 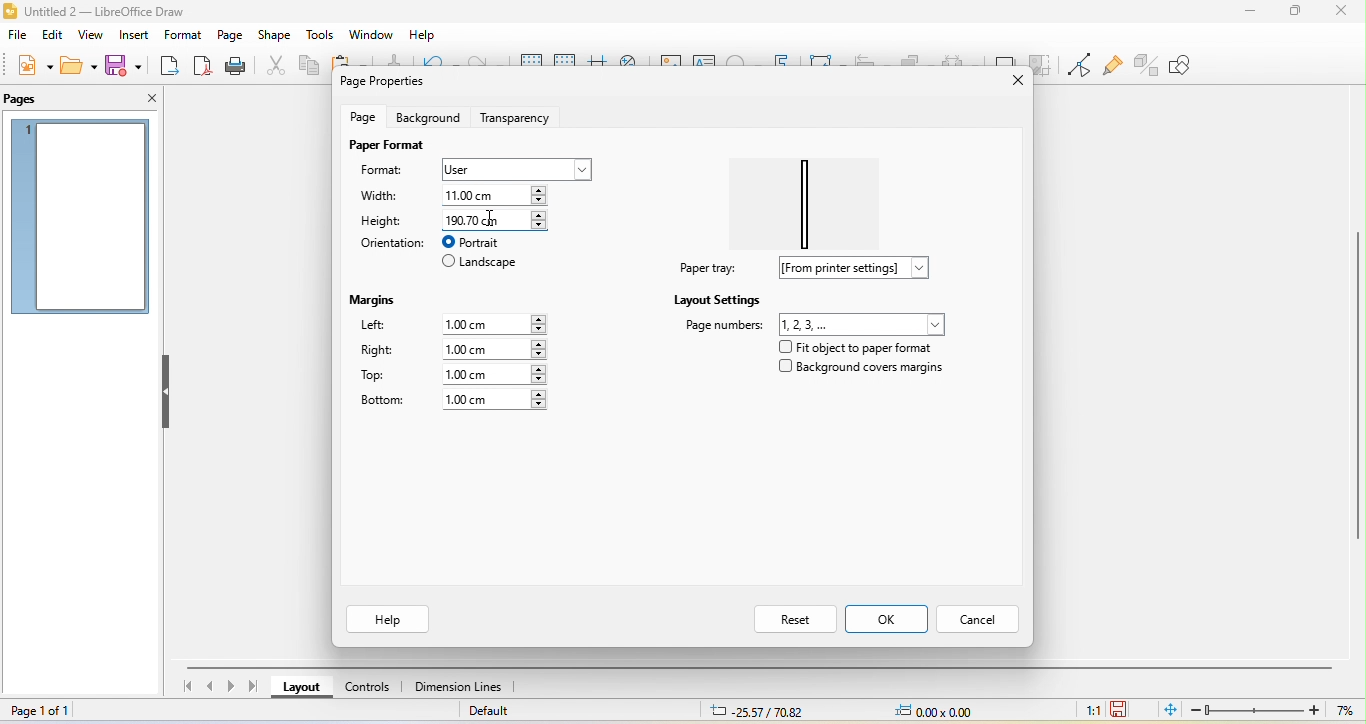 What do you see at coordinates (257, 686) in the screenshot?
I see `last page` at bounding box center [257, 686].